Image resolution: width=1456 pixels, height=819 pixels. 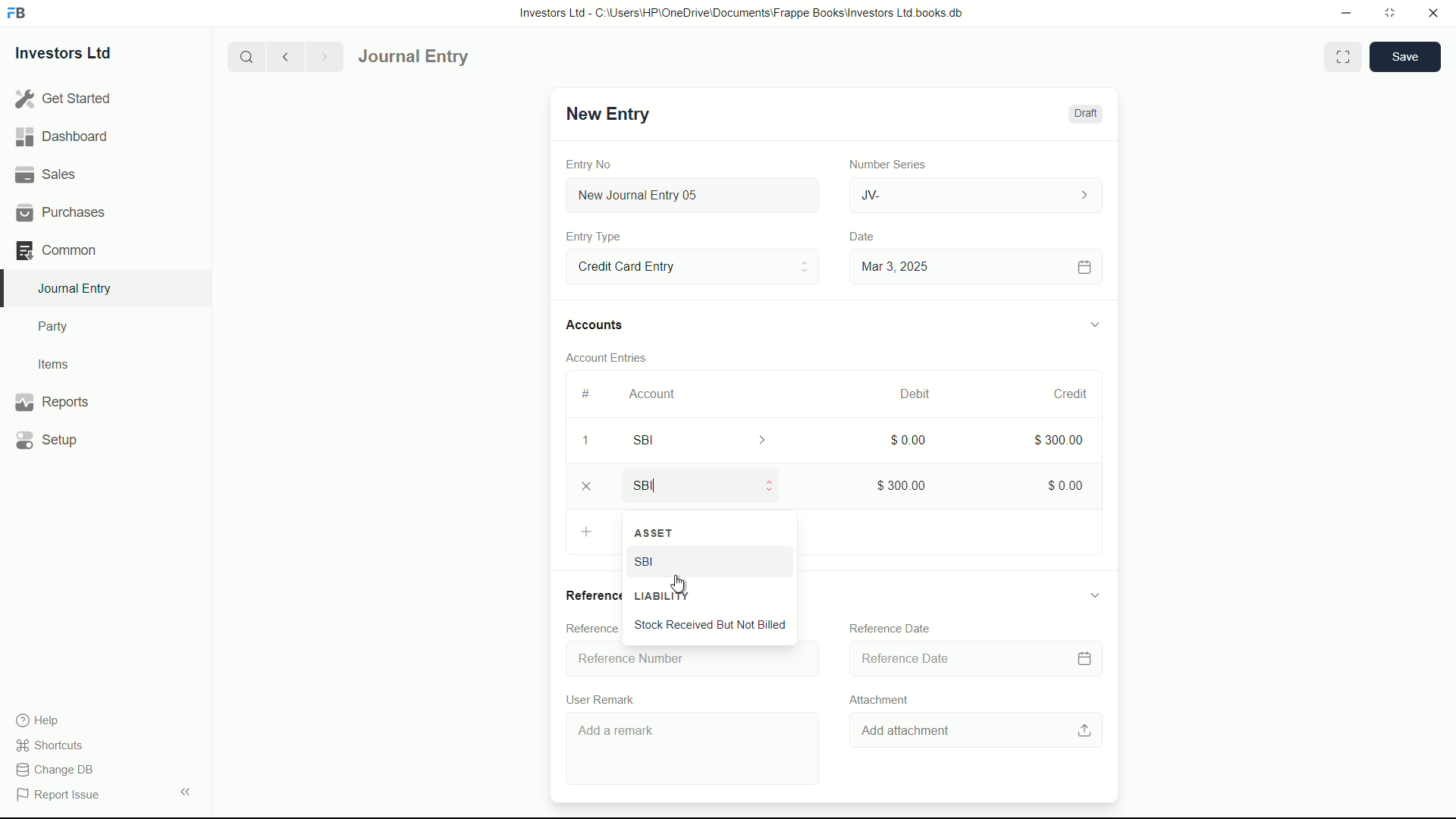 What do you see at coordinates (17, 14) in the screenshot?
I see `FrappeBooks logo` at bounding box center [17, 14].